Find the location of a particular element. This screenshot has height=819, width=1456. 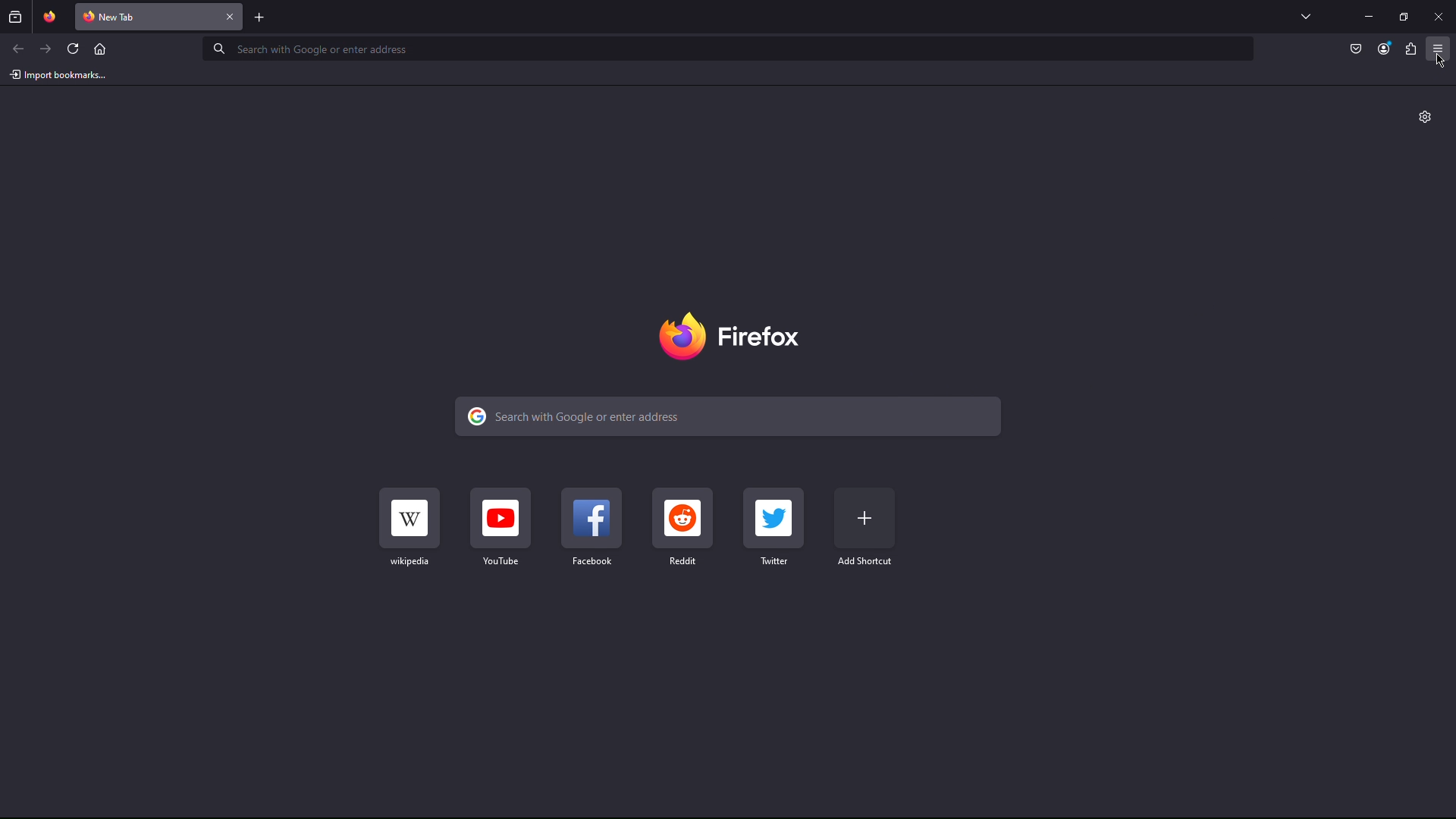

Settings is located at coordinates (1426, 117).